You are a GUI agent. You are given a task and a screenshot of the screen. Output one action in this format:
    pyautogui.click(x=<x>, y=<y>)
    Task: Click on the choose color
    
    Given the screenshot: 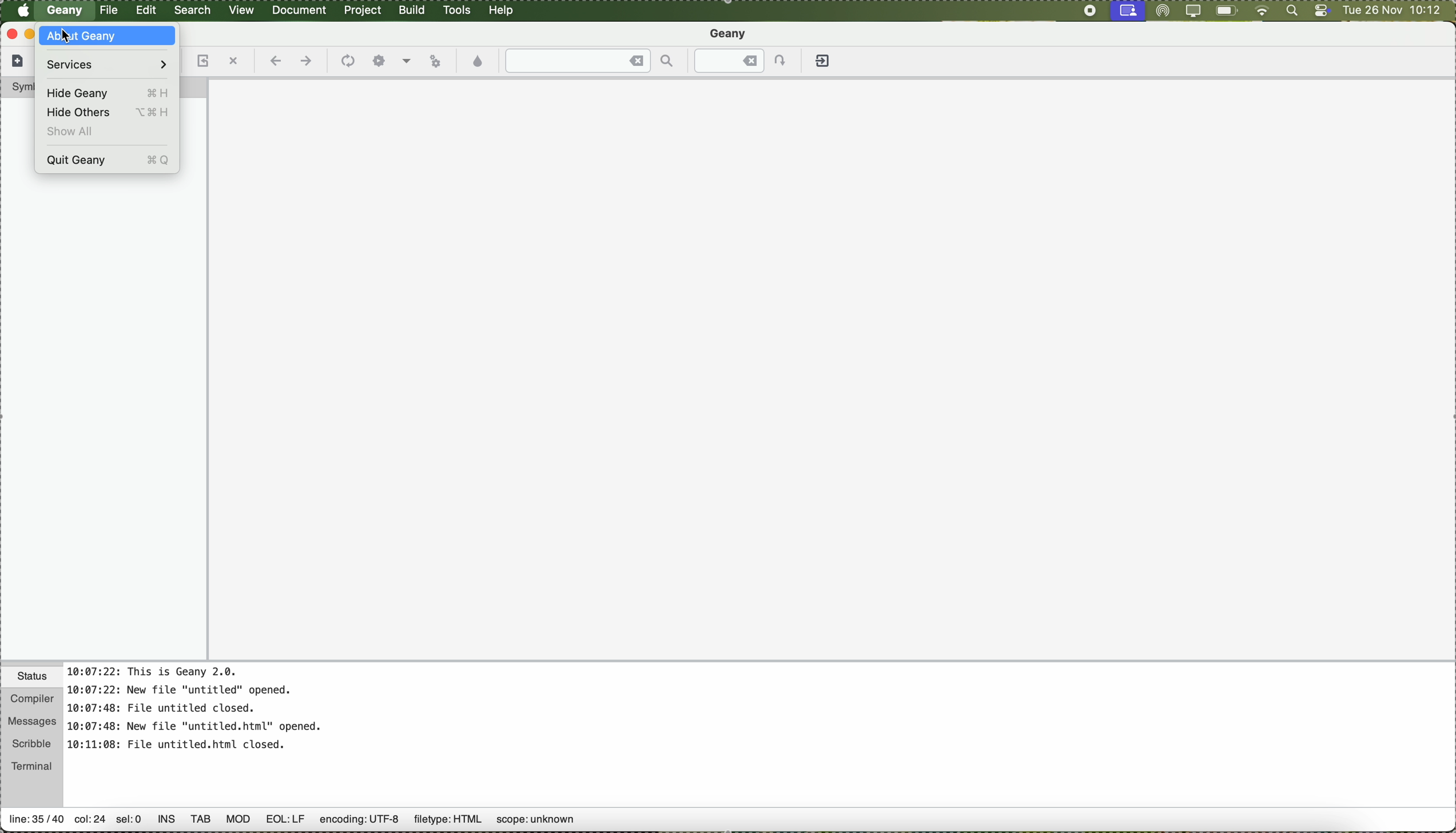 What is the action you would take?
    pyautogui.click(x=479, y=62)
    